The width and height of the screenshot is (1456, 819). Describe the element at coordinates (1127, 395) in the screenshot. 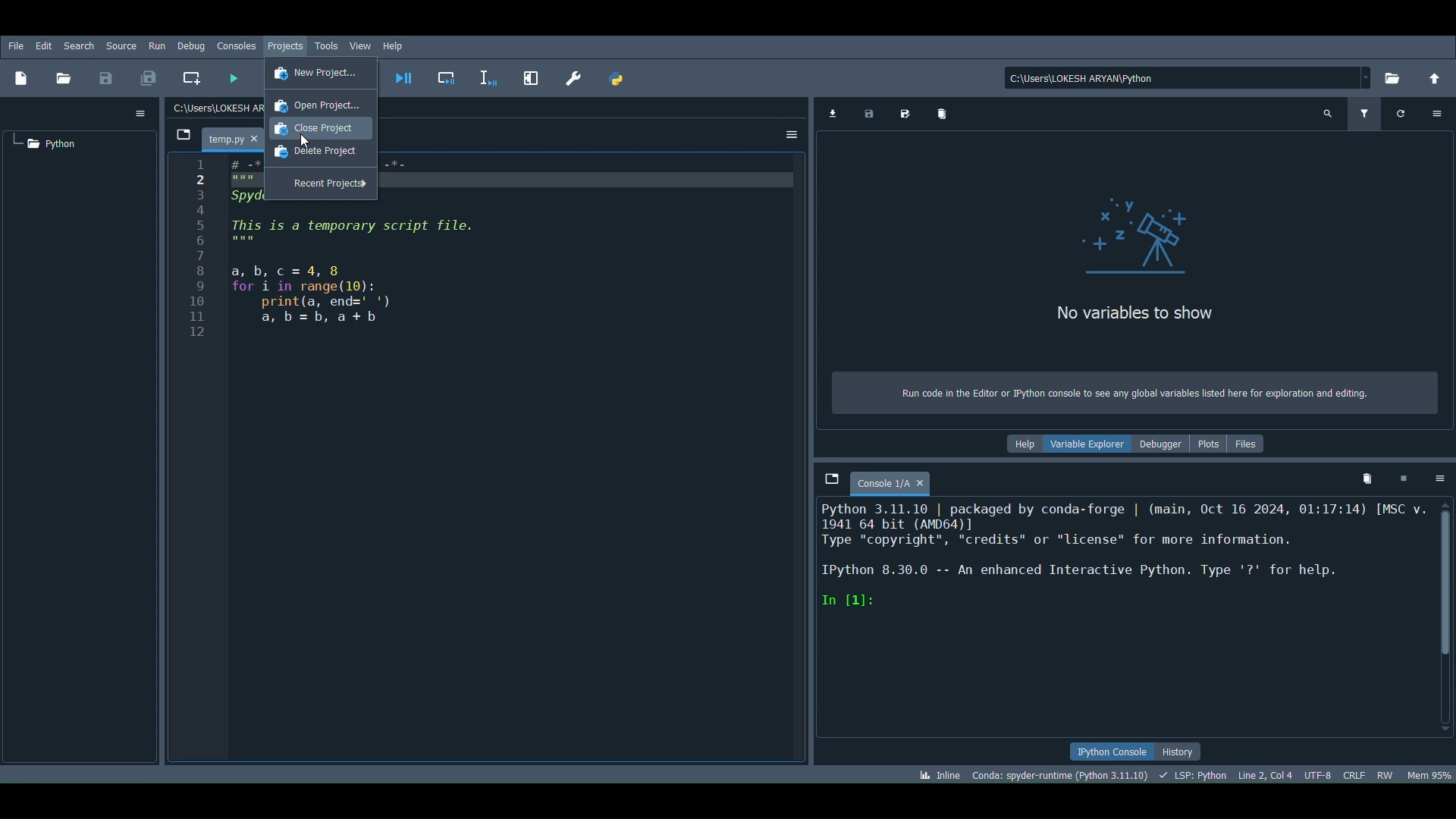

I see `Run code in the Editor or Python console to see any global variables listed here for exploration and editing.` at that location.